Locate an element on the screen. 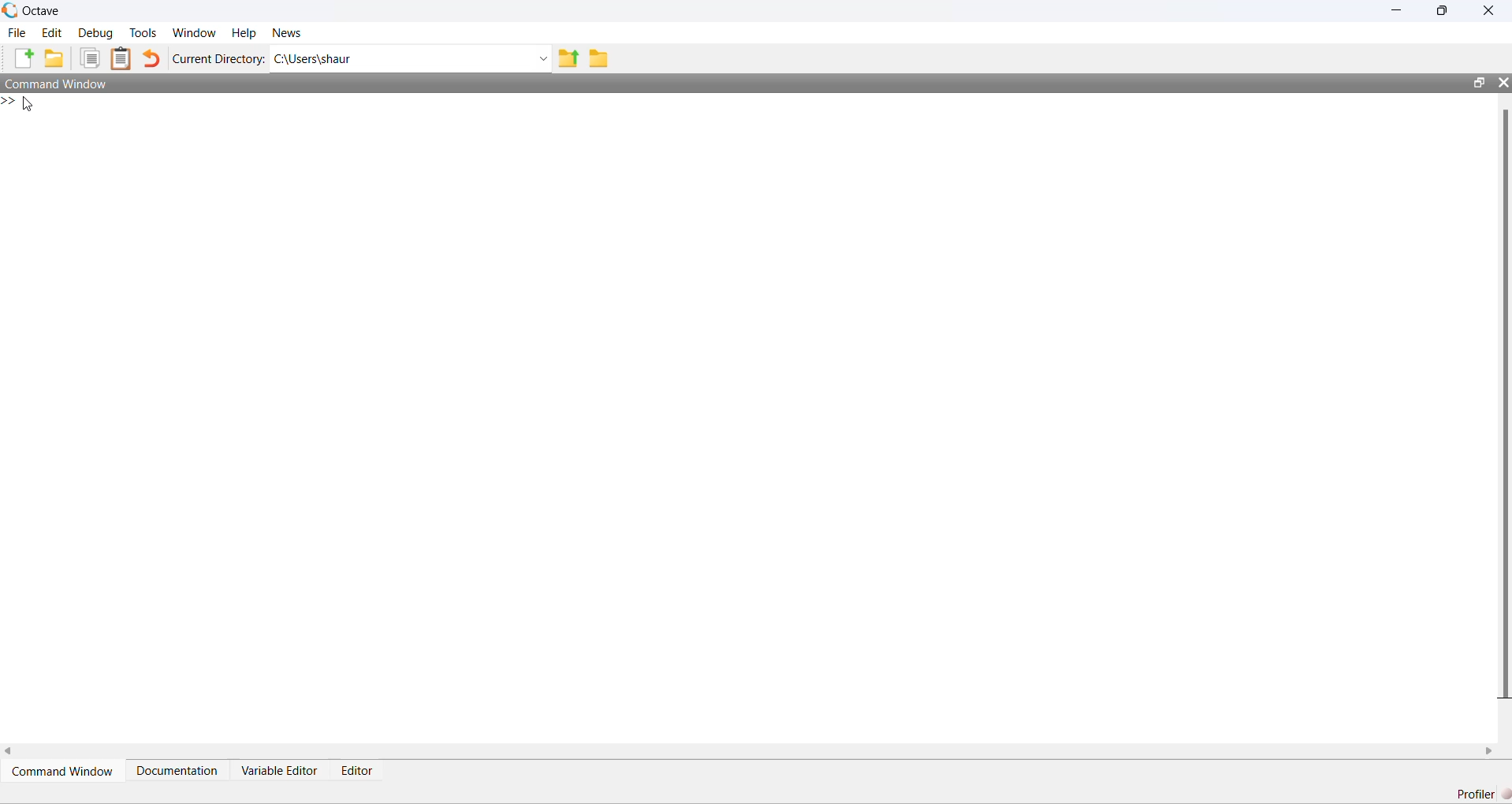  Edit is located at coordinates (52, 33).